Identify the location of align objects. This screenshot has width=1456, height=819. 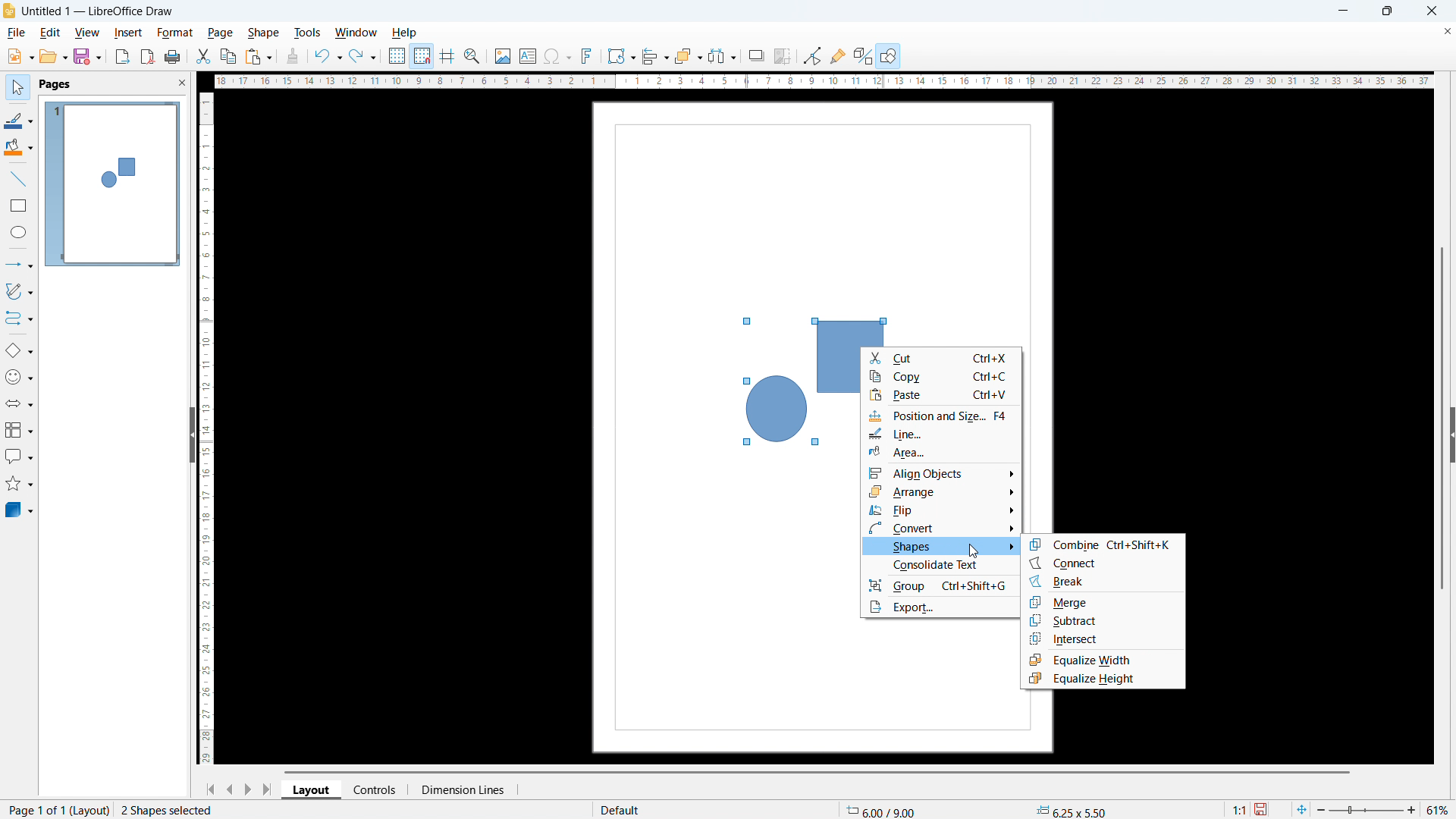
(942, 472).